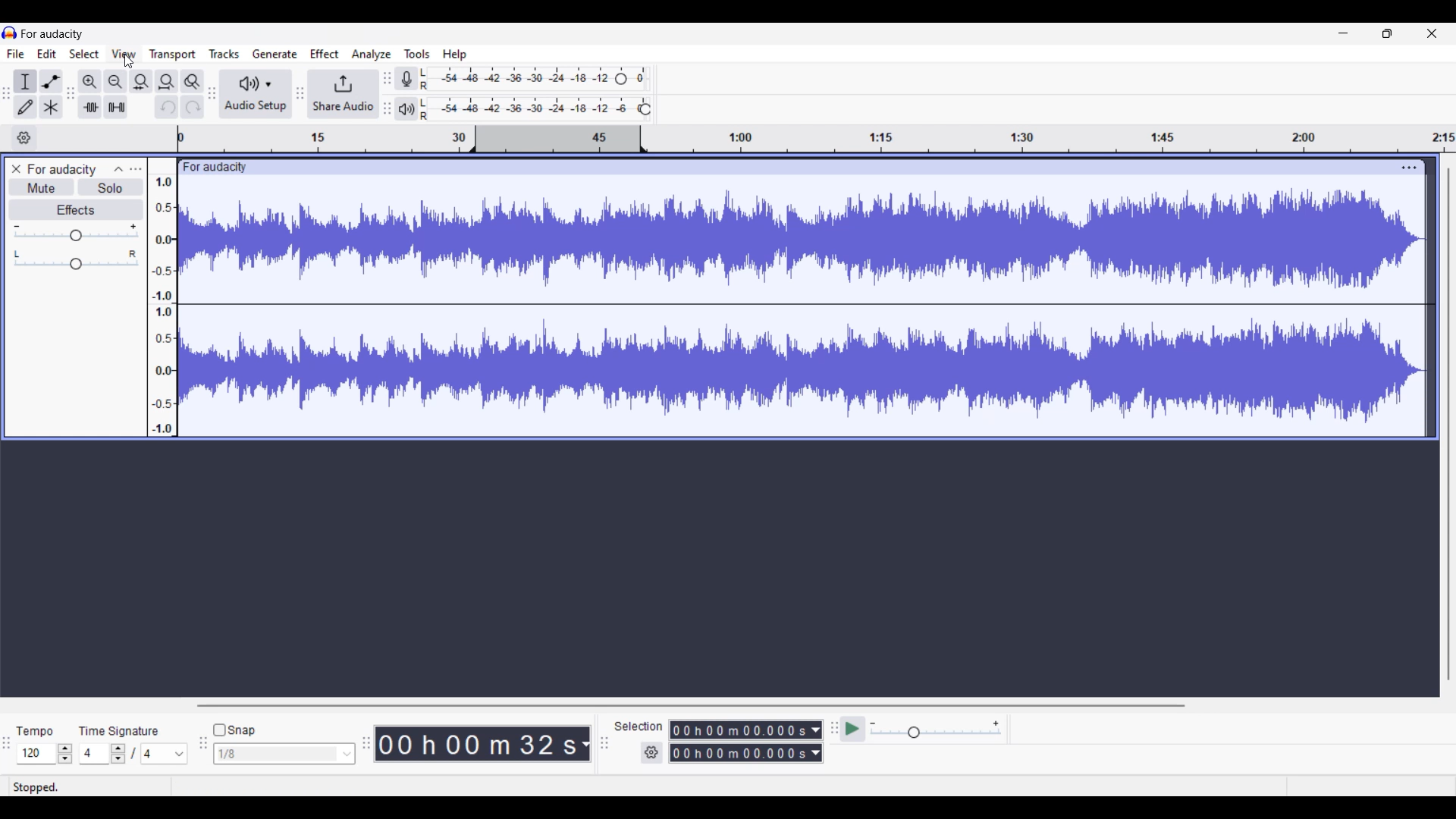 Image resolution: width=1456 pixels, height=819 pixels. What do you see at coordinates (24, 138) in the screenshot?
I see `Timeline options` at bounding box center [24, 138].